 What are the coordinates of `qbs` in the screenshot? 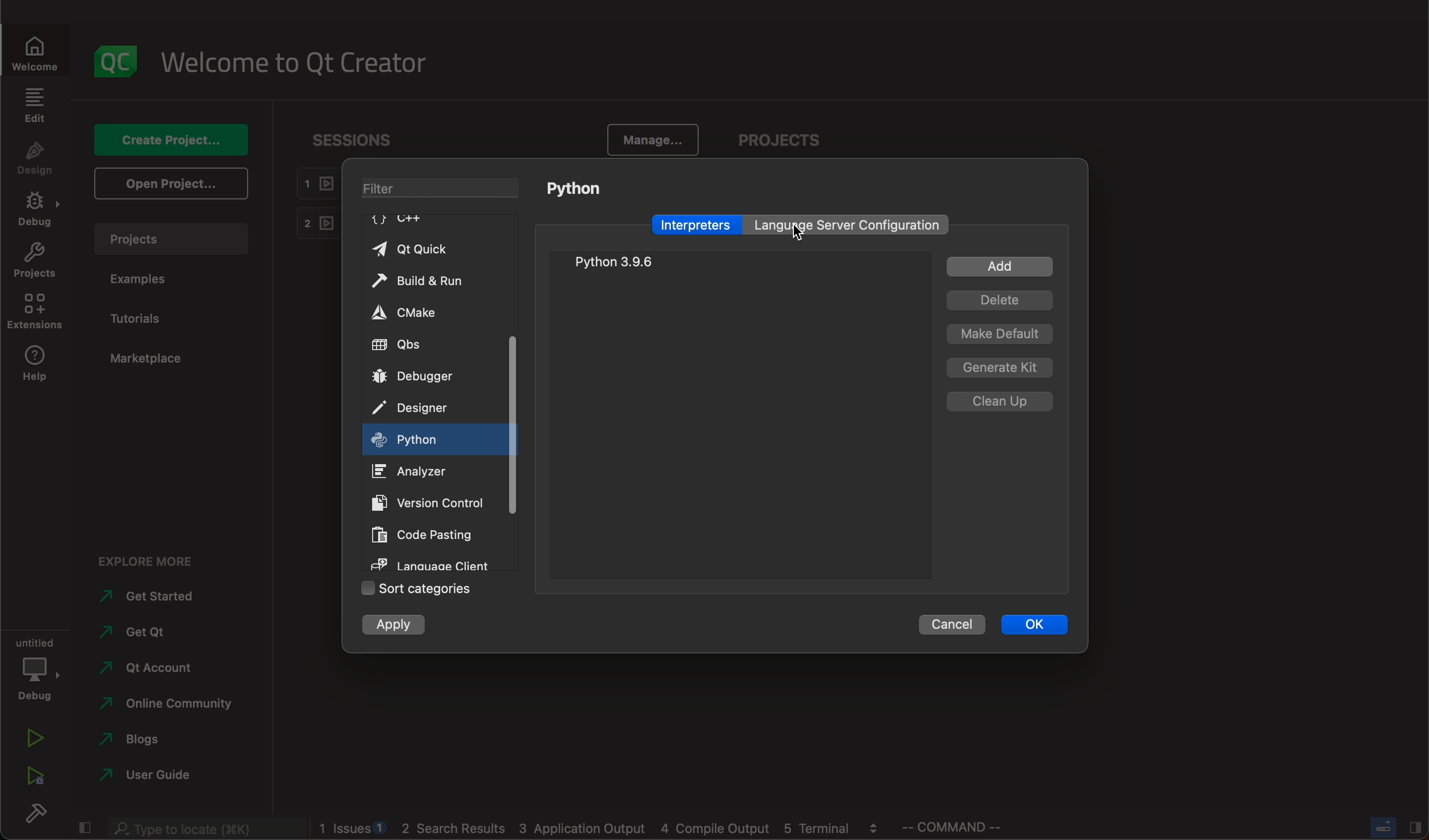 It's located at (423, 345).